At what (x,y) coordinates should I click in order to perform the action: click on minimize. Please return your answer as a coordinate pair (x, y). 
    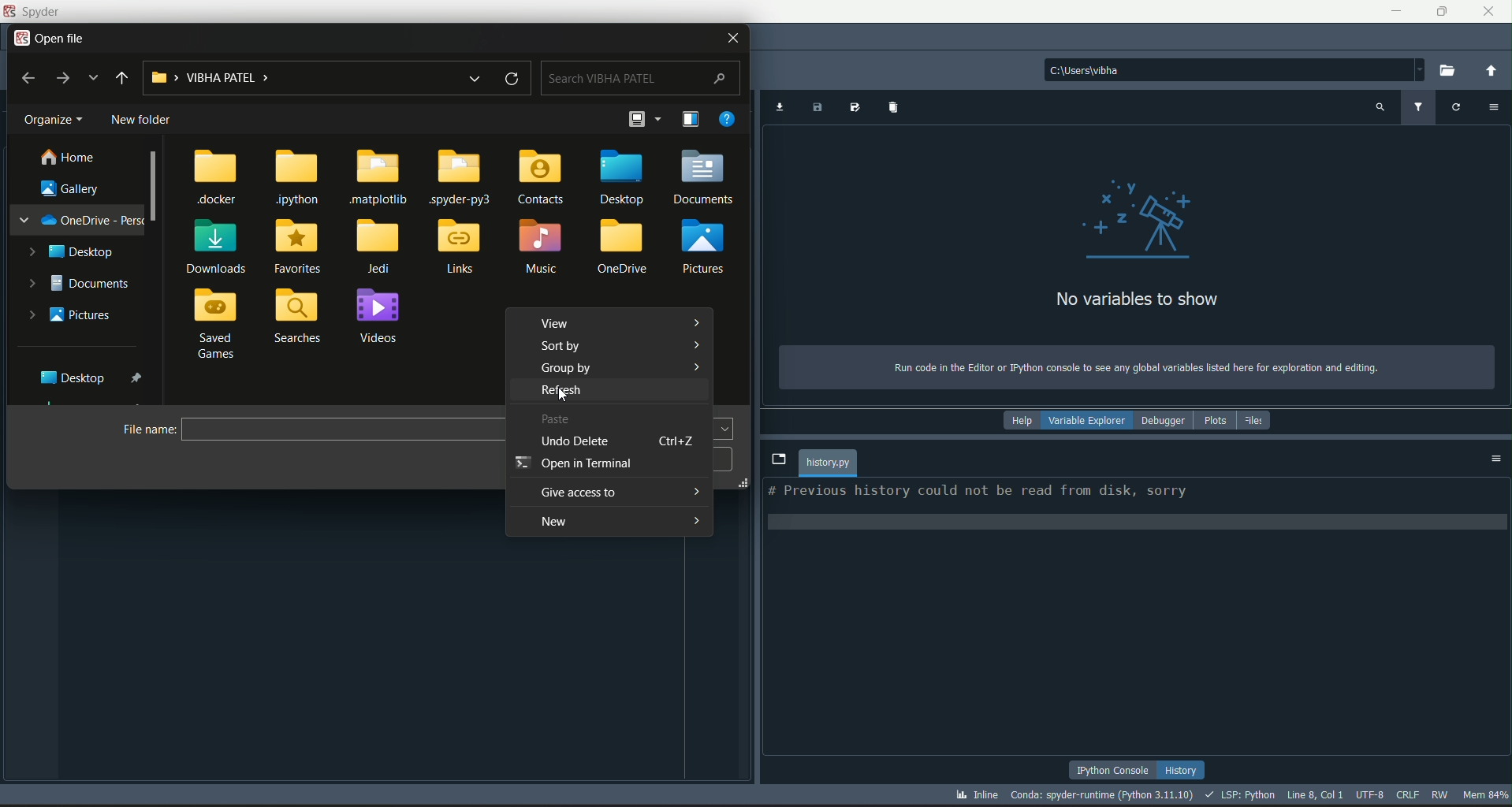
    Looking at the image, I should click on (1394, 9).